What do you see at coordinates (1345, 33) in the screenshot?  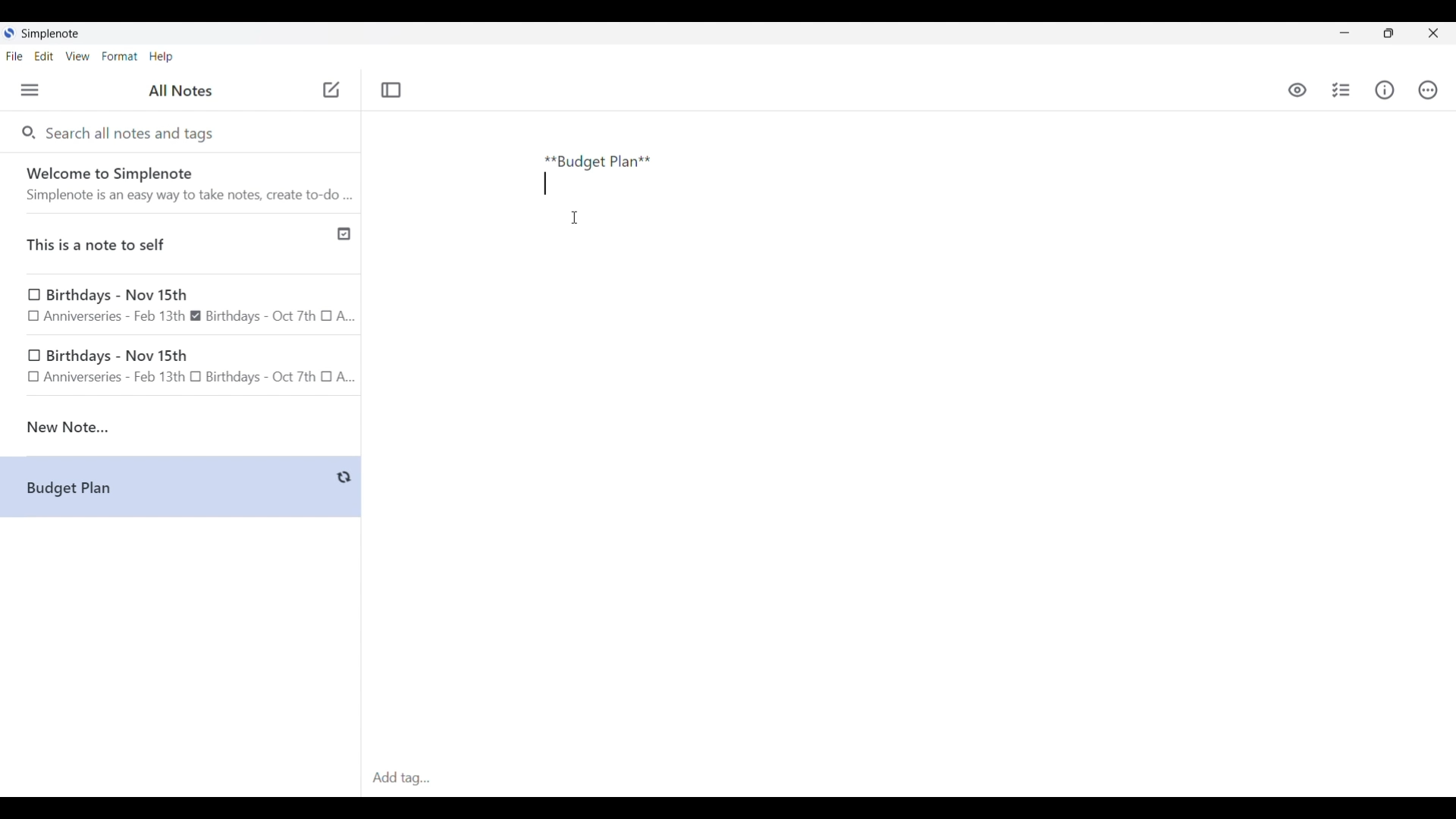 I see `Minimize` at bounding box center [1345, 33].